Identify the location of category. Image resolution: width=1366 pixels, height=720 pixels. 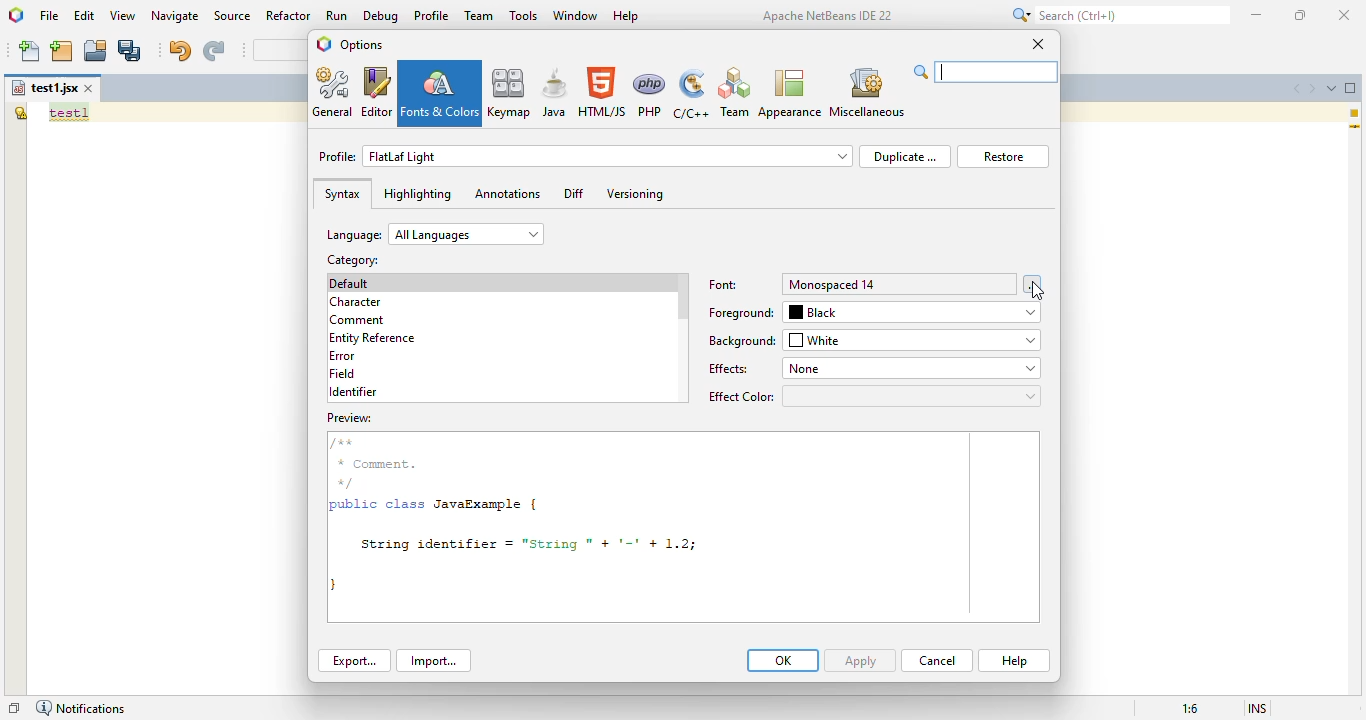
(353, 259).